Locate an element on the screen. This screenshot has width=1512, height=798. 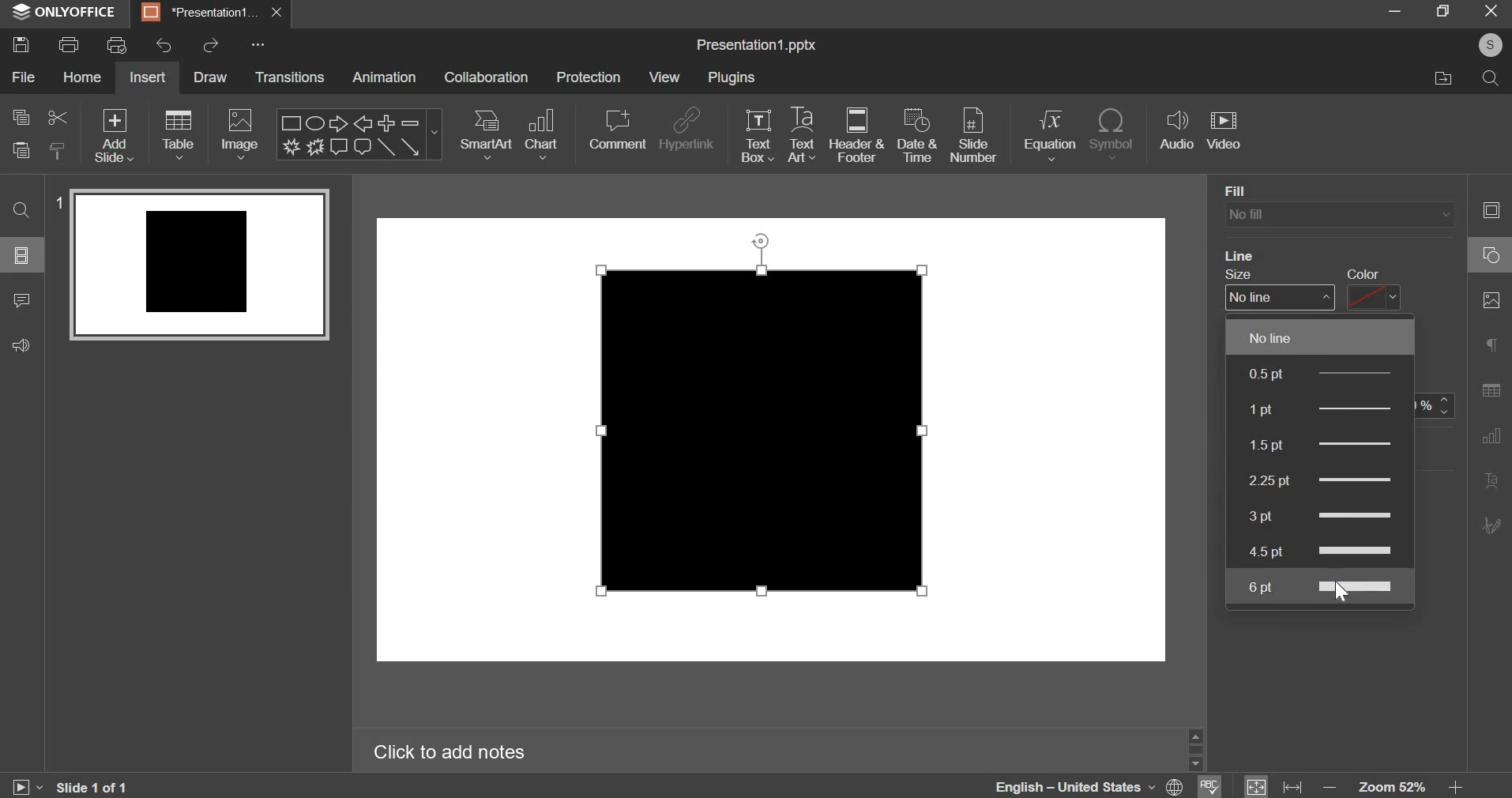
Line is located at coordinates (386, 149).